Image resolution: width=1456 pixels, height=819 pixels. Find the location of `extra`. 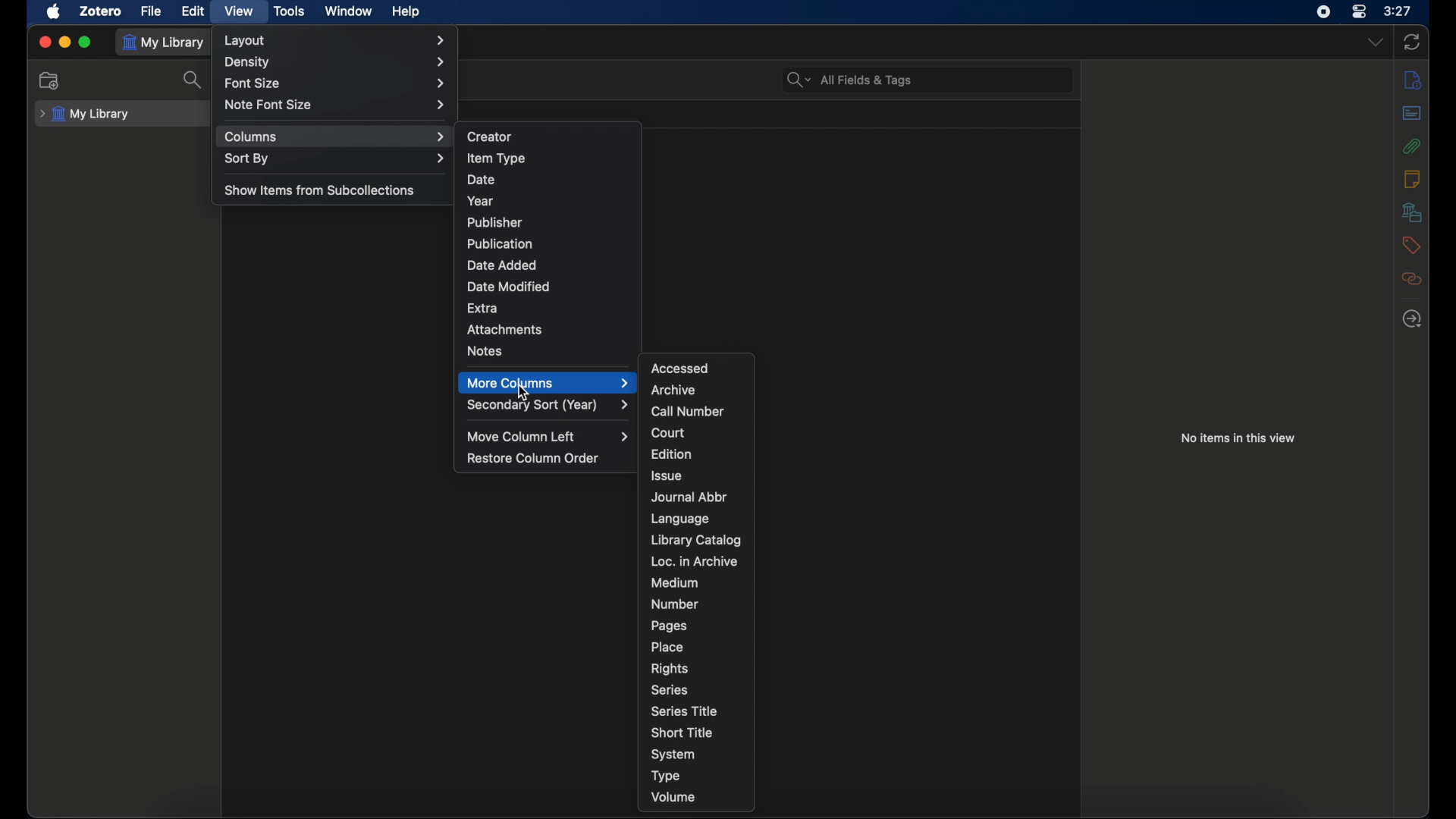

extra is located at coordinates (484, 306).